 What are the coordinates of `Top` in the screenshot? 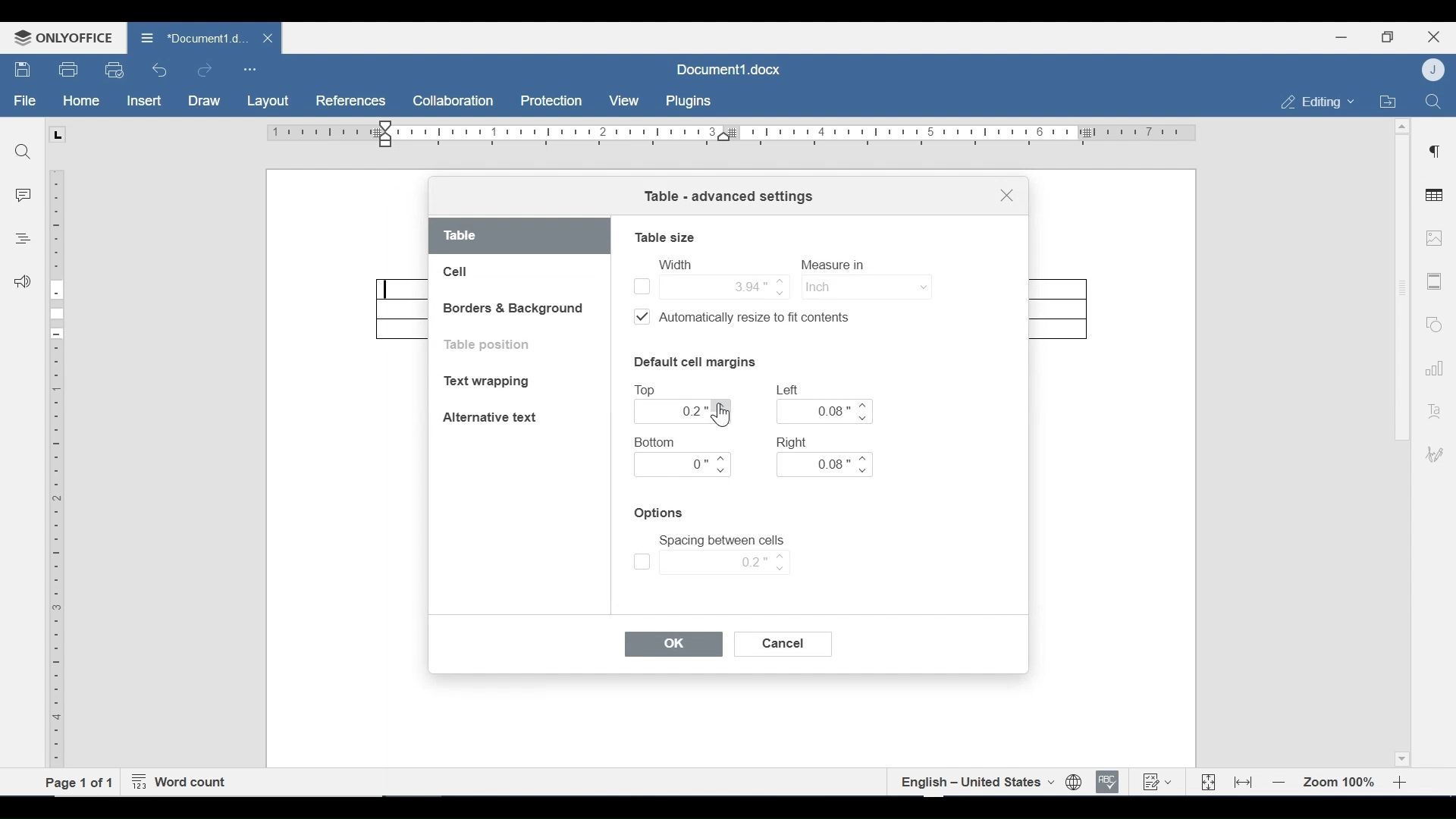 It's located at (648, 391).